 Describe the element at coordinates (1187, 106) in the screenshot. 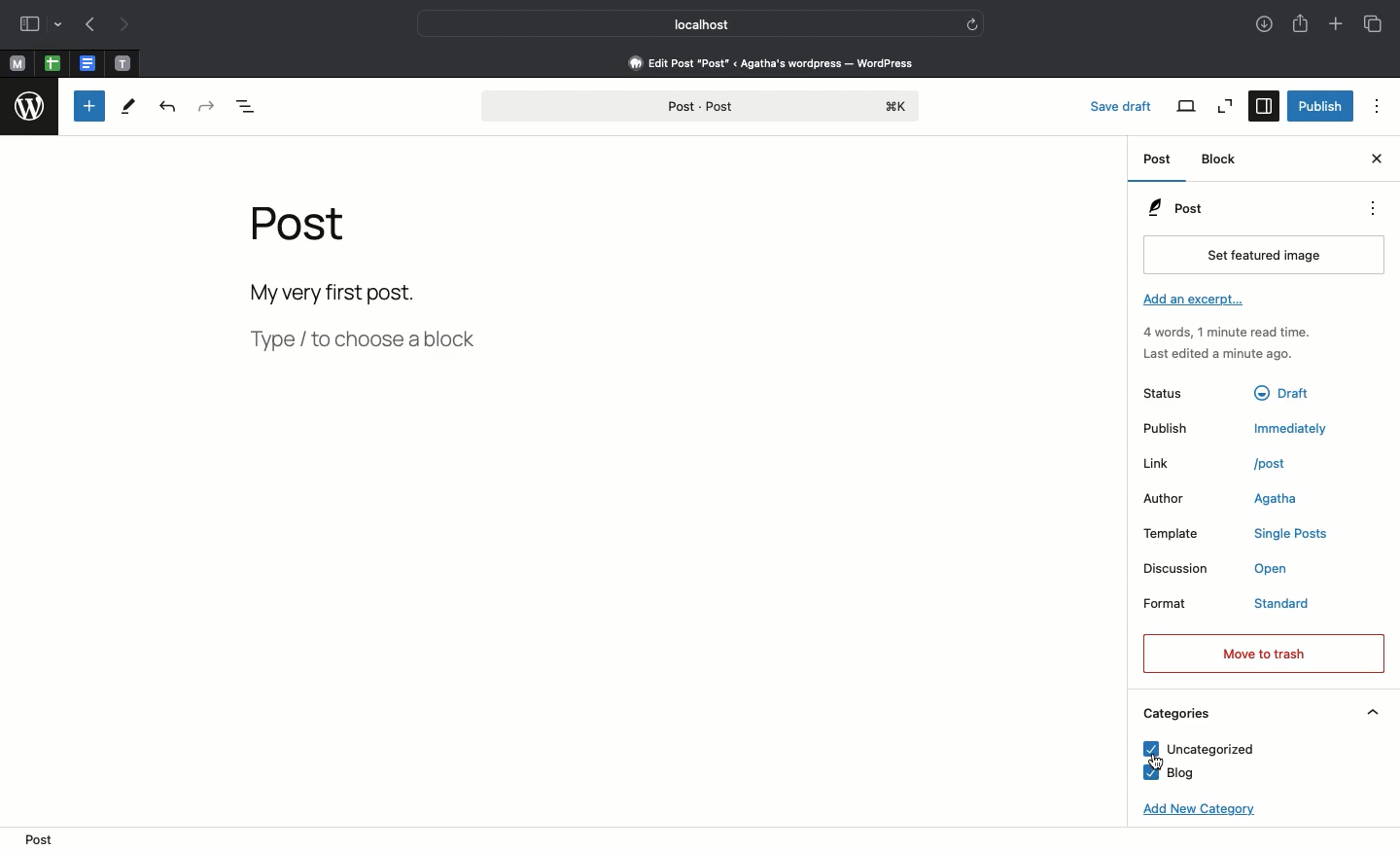

I see `View` at that location.